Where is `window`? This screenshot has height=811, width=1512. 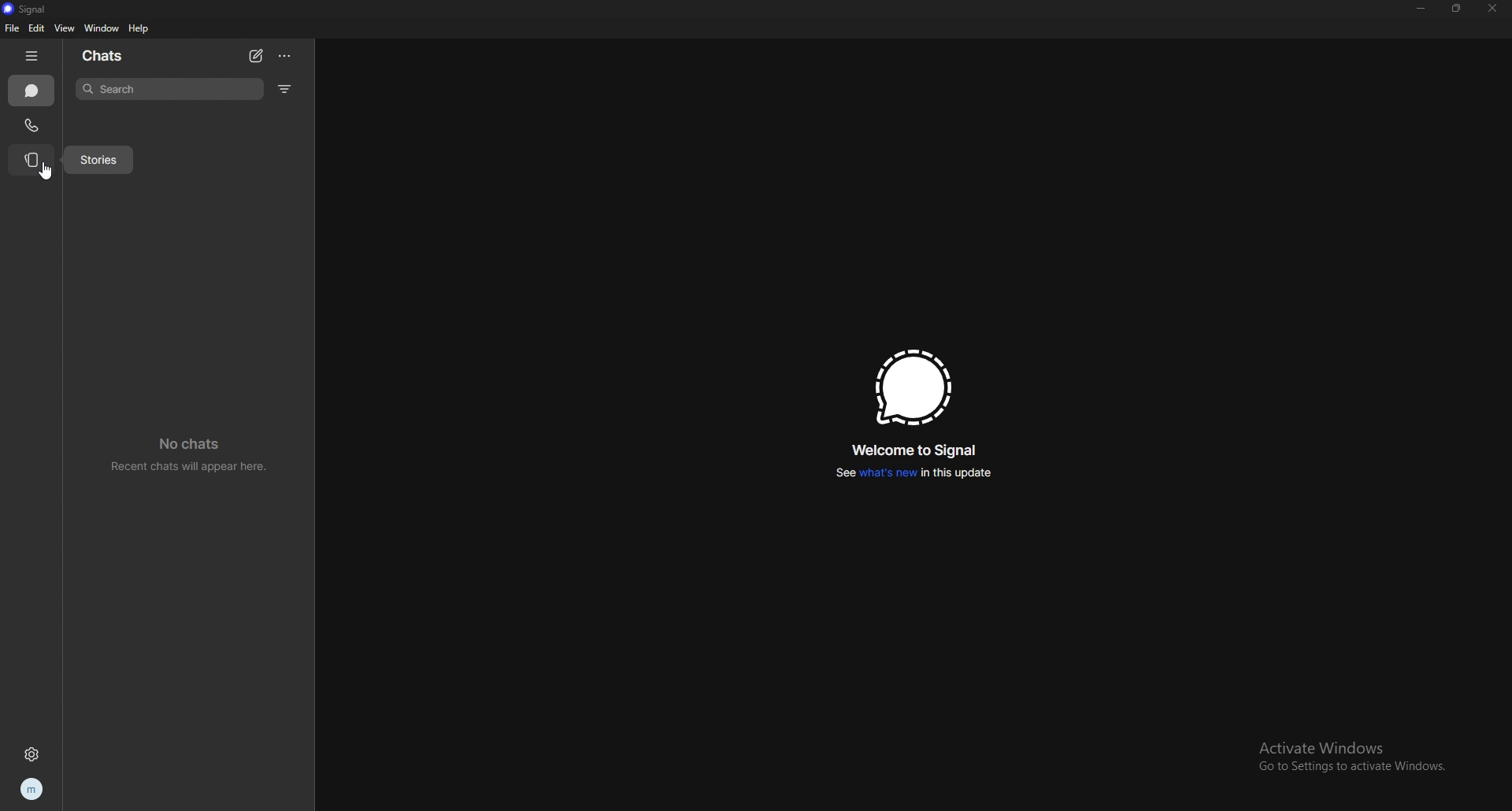
window is located at coordinates (100, 28).